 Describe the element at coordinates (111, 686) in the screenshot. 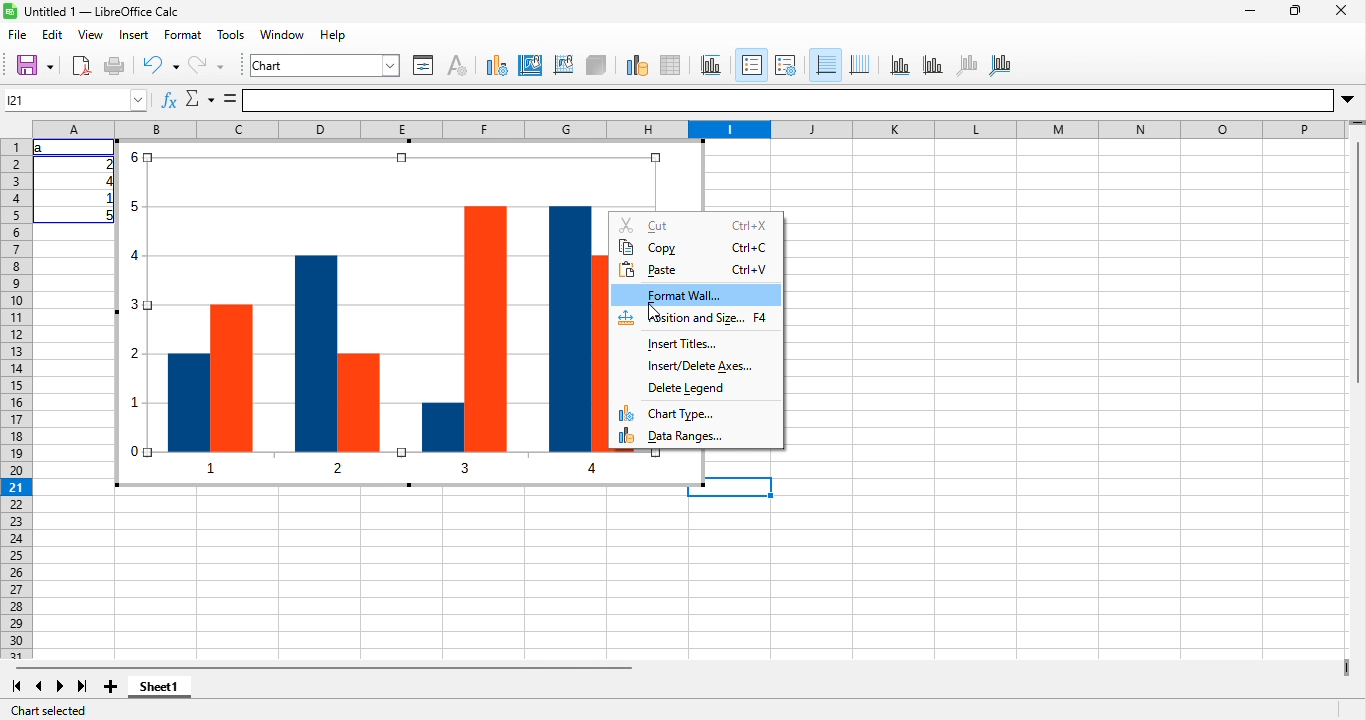

I see `add sheet` at that location.